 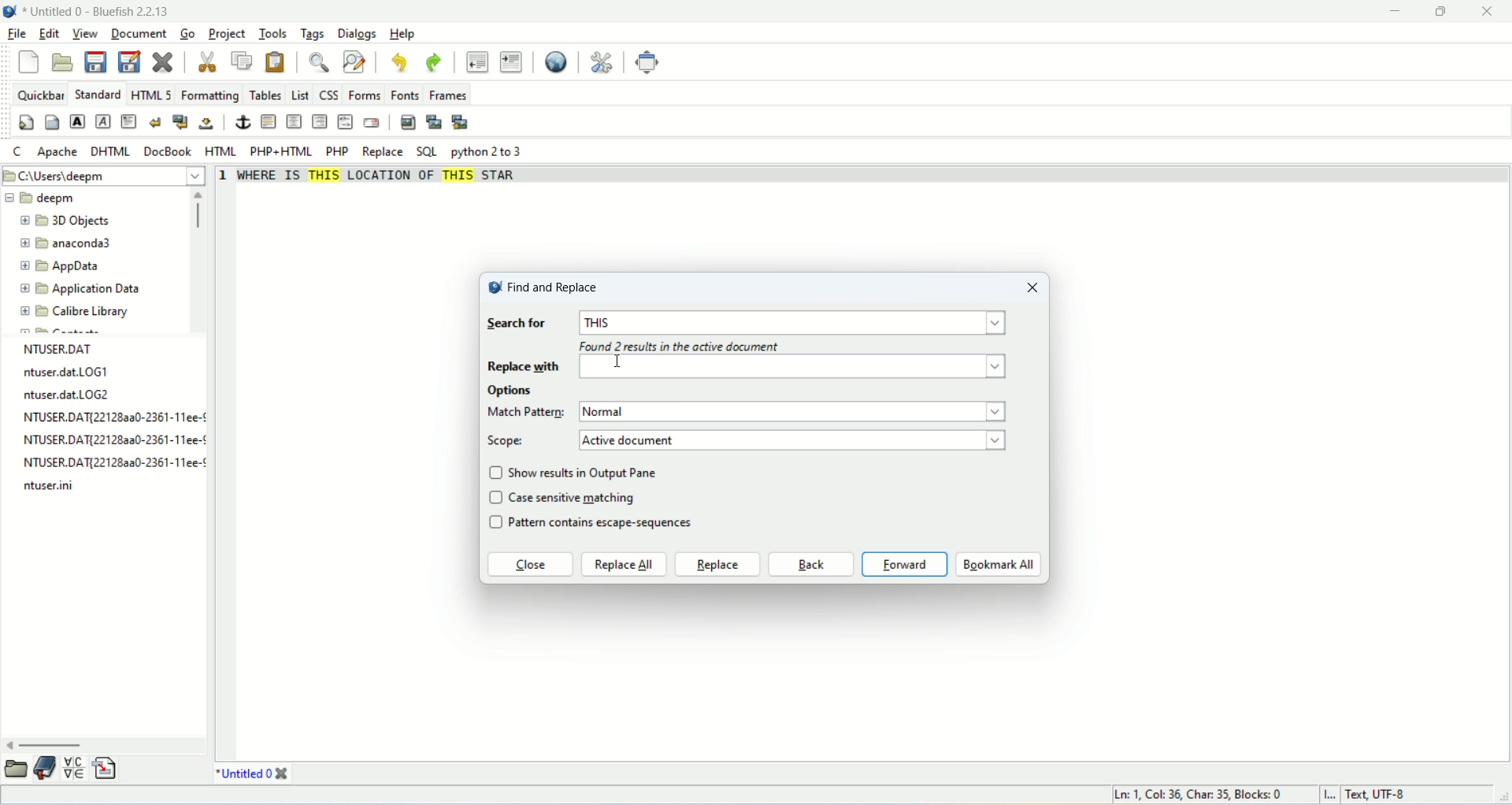 What do you see at coordinates (50, 484) in the screenshot?
I see `file name` at bounding box center [50, 484].